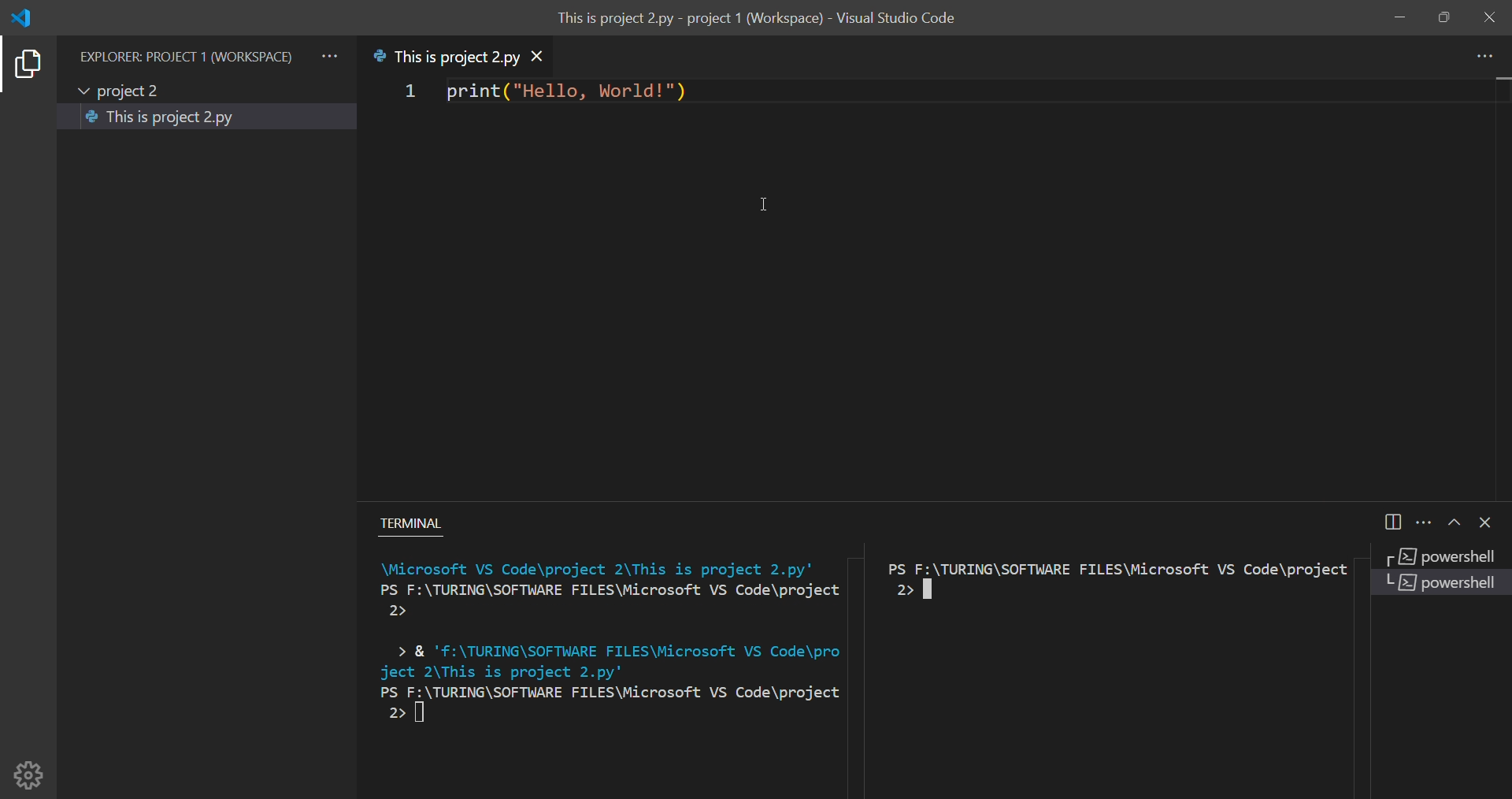 This screenshot has height=799, width=1512. What do you see at coordinates (1438, 556) in the screenshot?
I see `powershell` at bounding box center [1438, 556].